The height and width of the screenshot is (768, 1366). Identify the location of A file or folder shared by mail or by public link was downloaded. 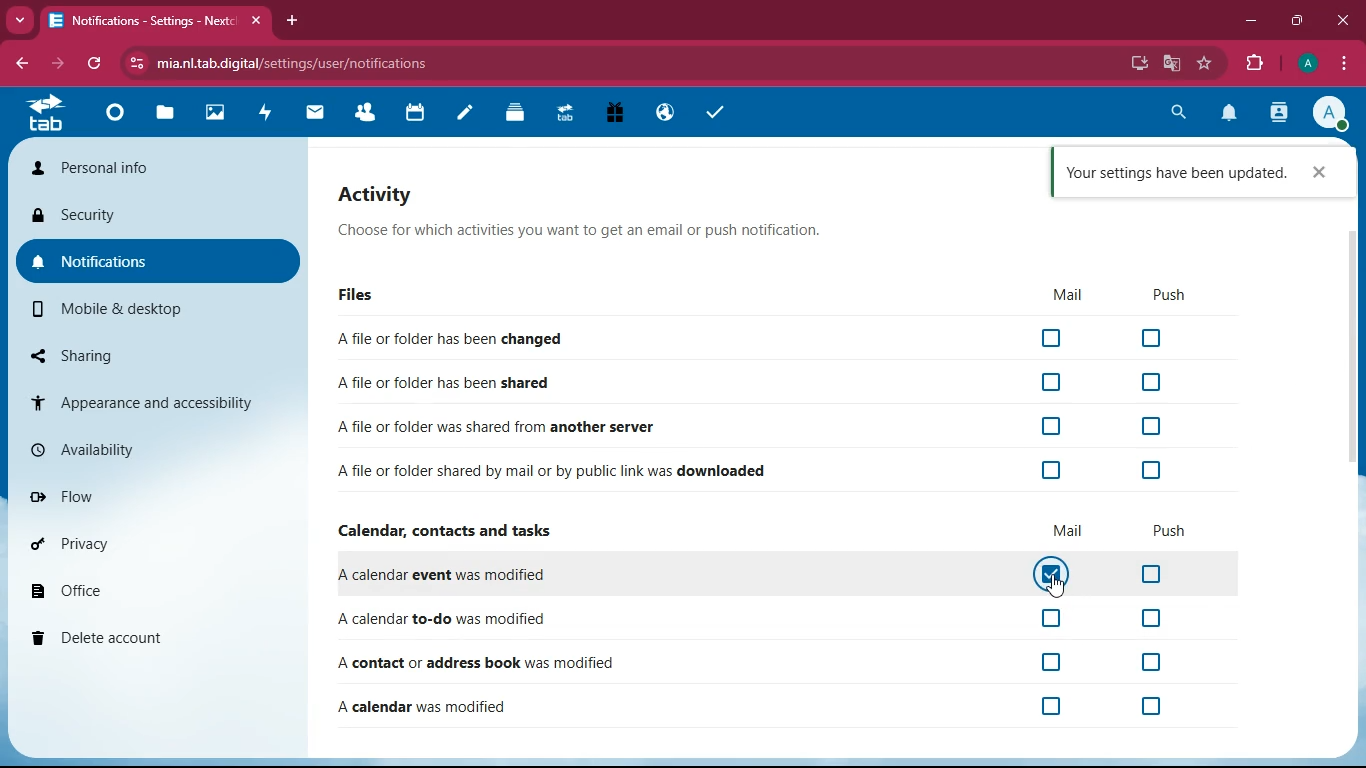
(756, 468).